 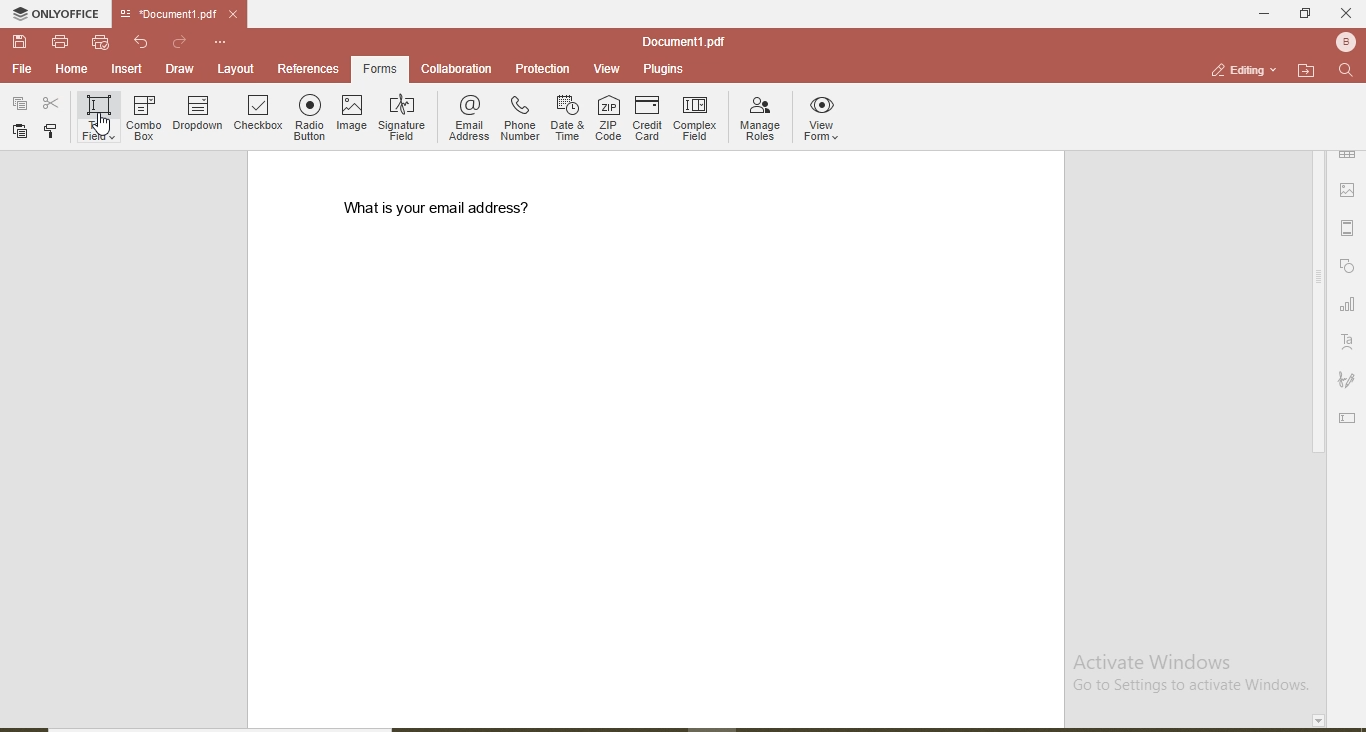 What do you see at coordinates (1344, 41) in the screenshot?
I see `user` at bounding box center [1344, 41].